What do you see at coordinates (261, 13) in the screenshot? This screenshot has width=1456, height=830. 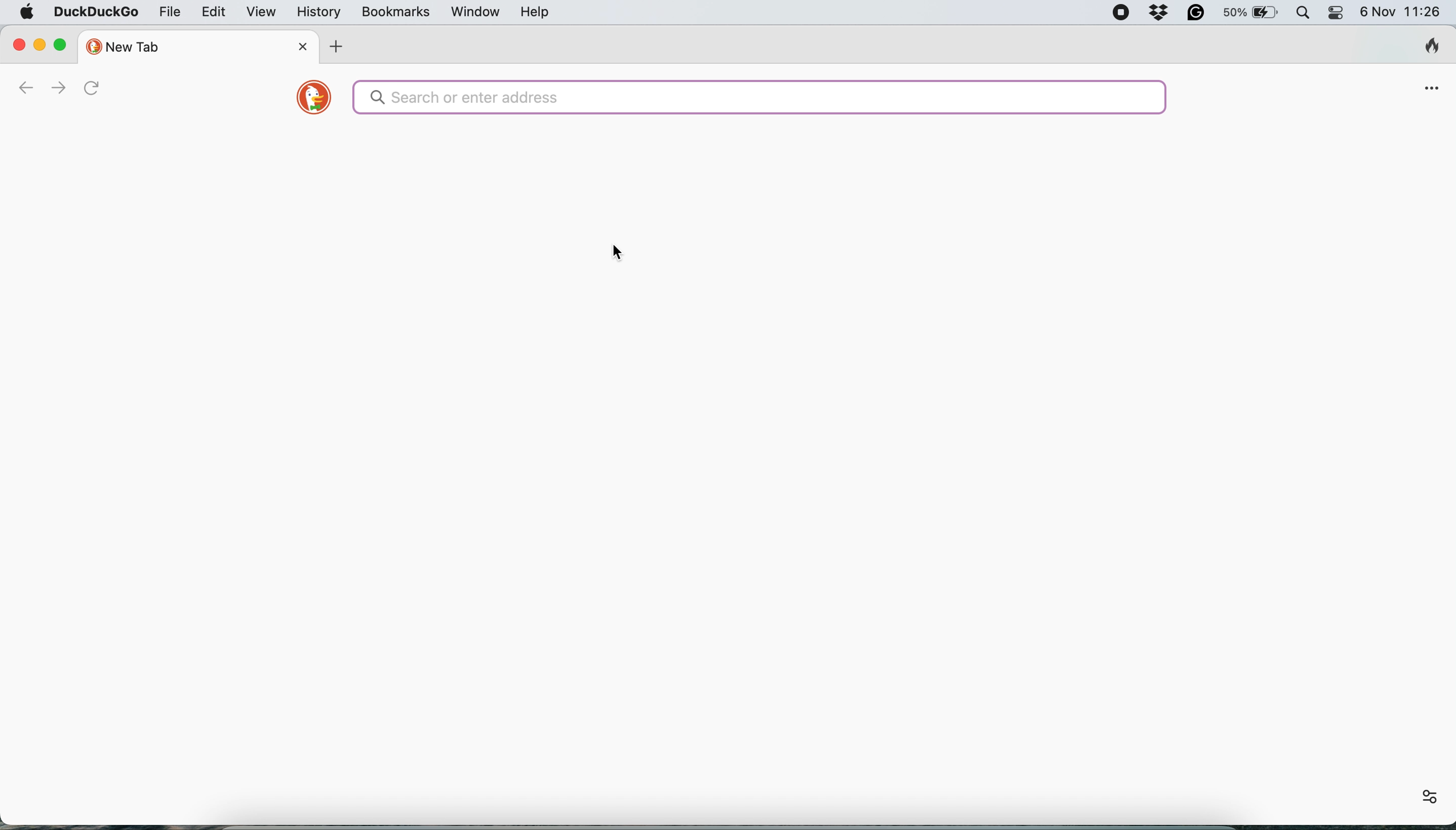 I see `view` at bounding box center [261, 13].